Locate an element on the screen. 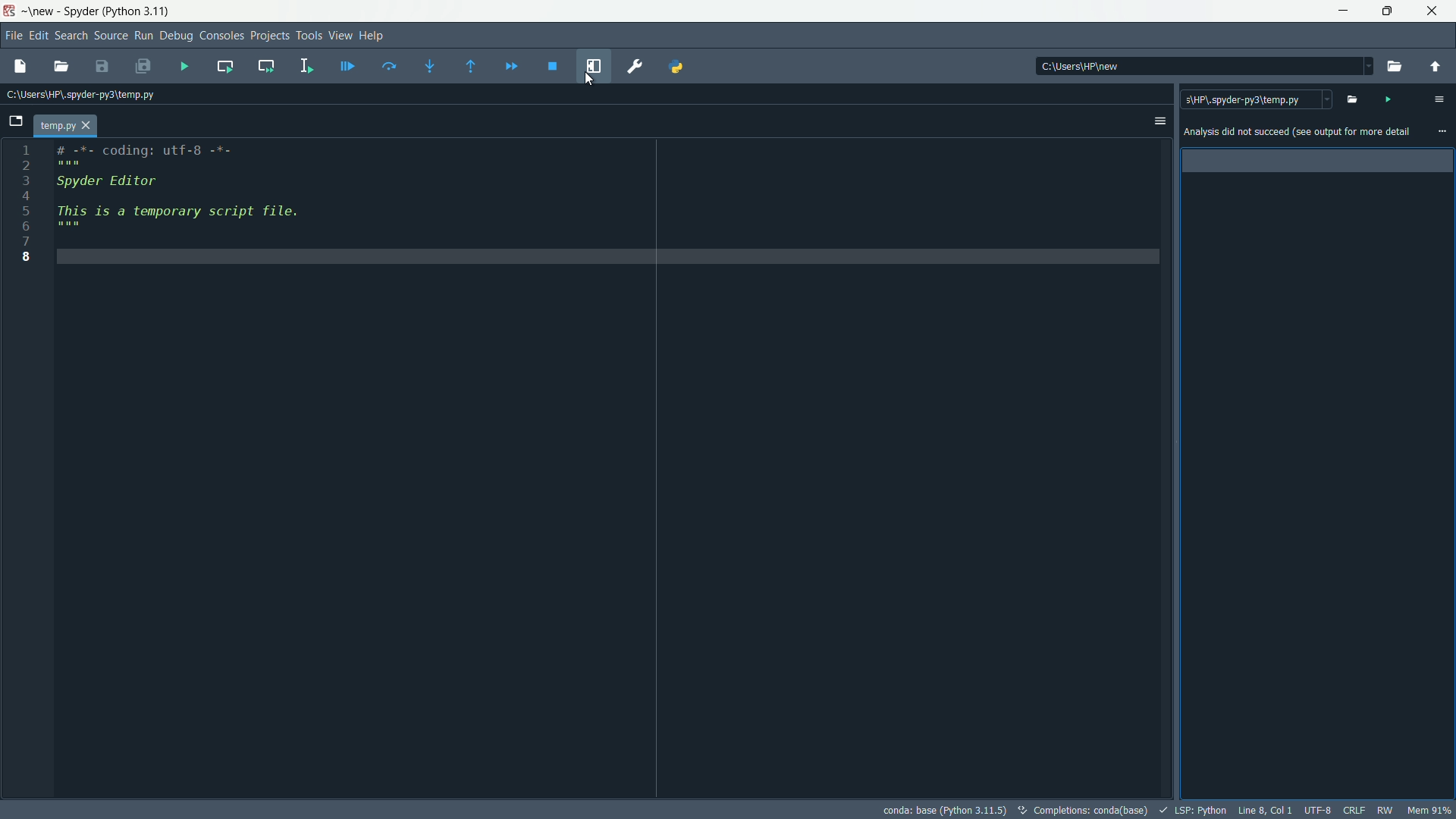  run menu is located at coordinates (143, 36).